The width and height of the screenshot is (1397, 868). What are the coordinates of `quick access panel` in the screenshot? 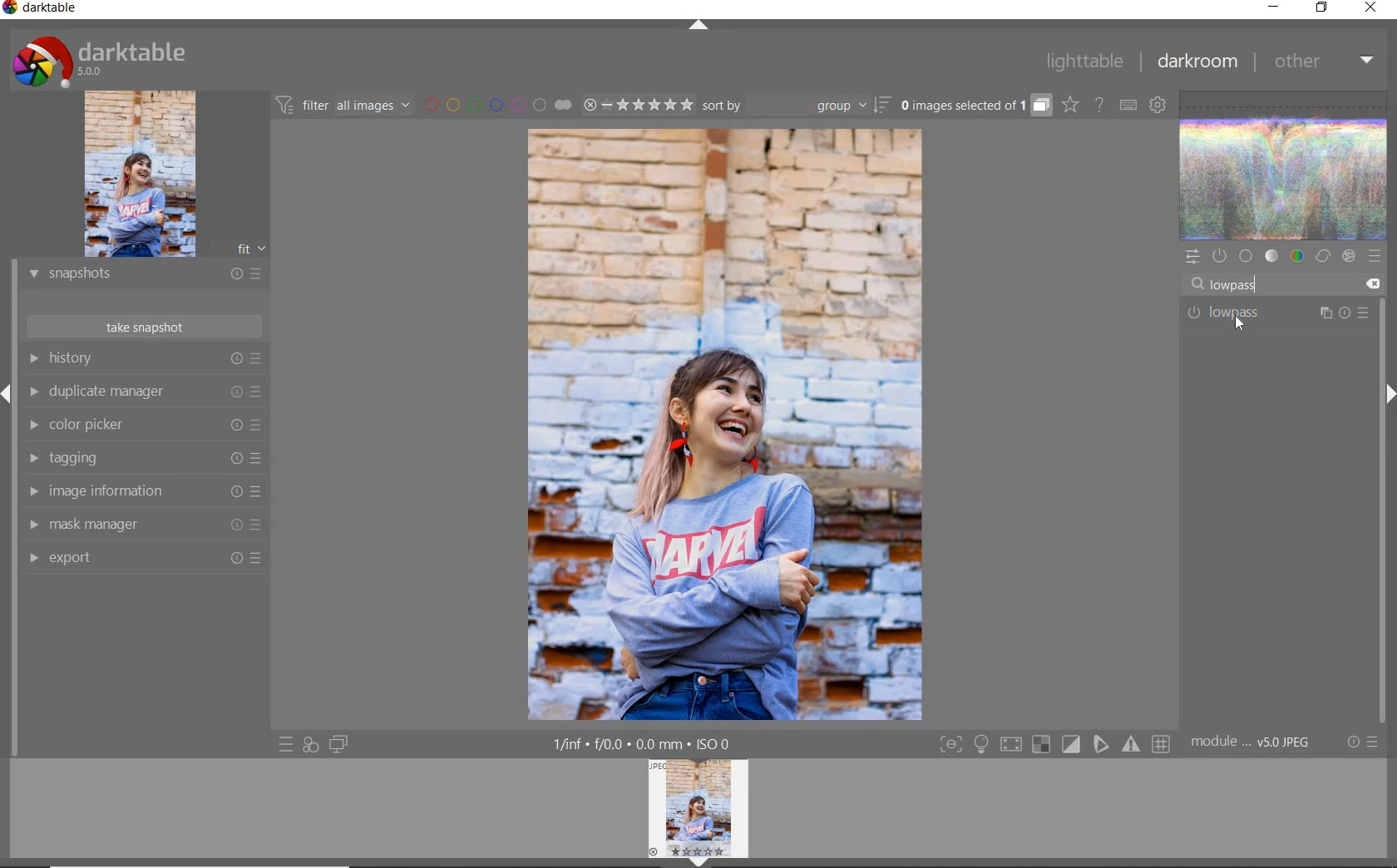 It's located at (1194, 254).